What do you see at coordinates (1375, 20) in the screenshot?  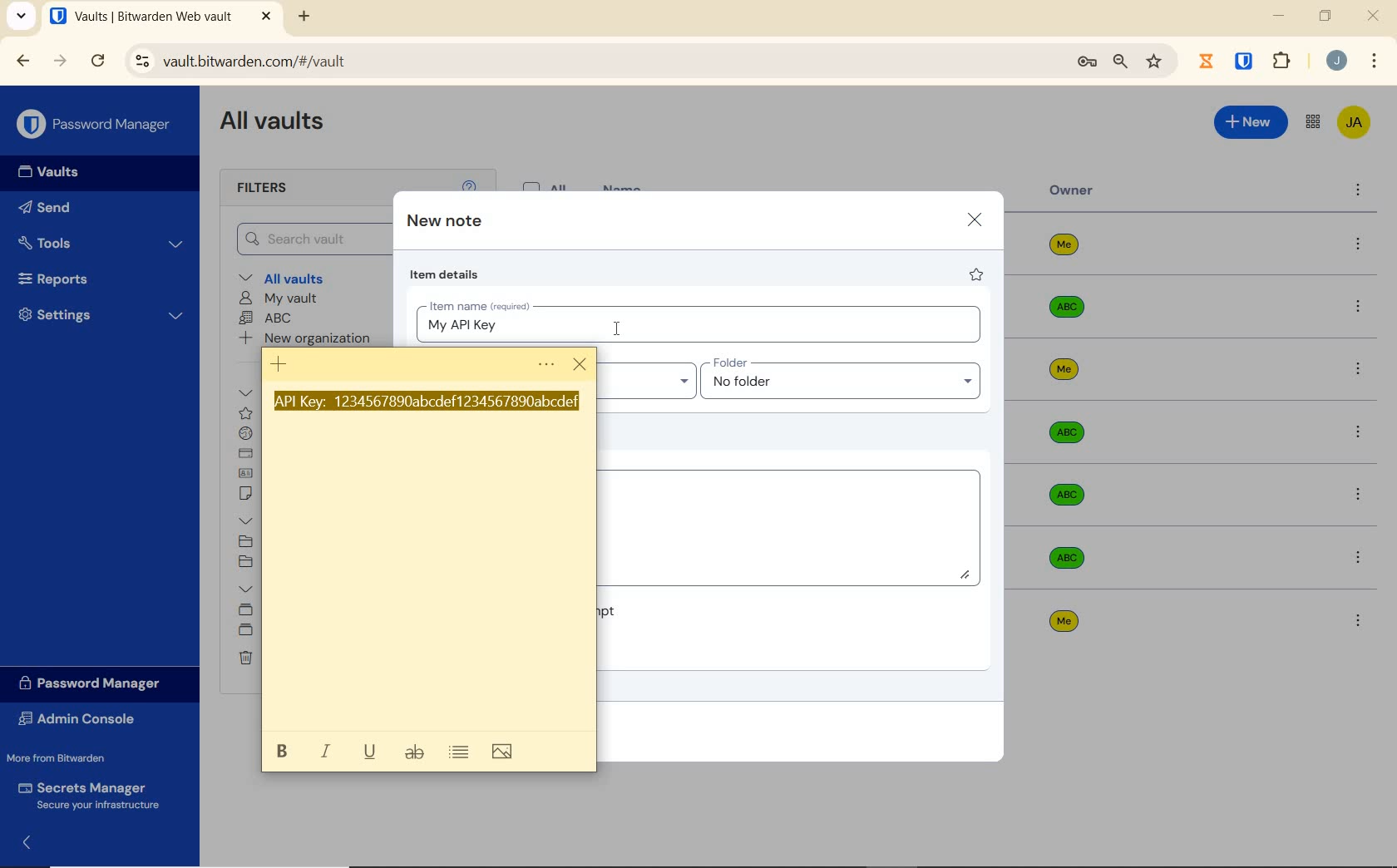 I see `CLOSE` at bounding box center [1375, 20].